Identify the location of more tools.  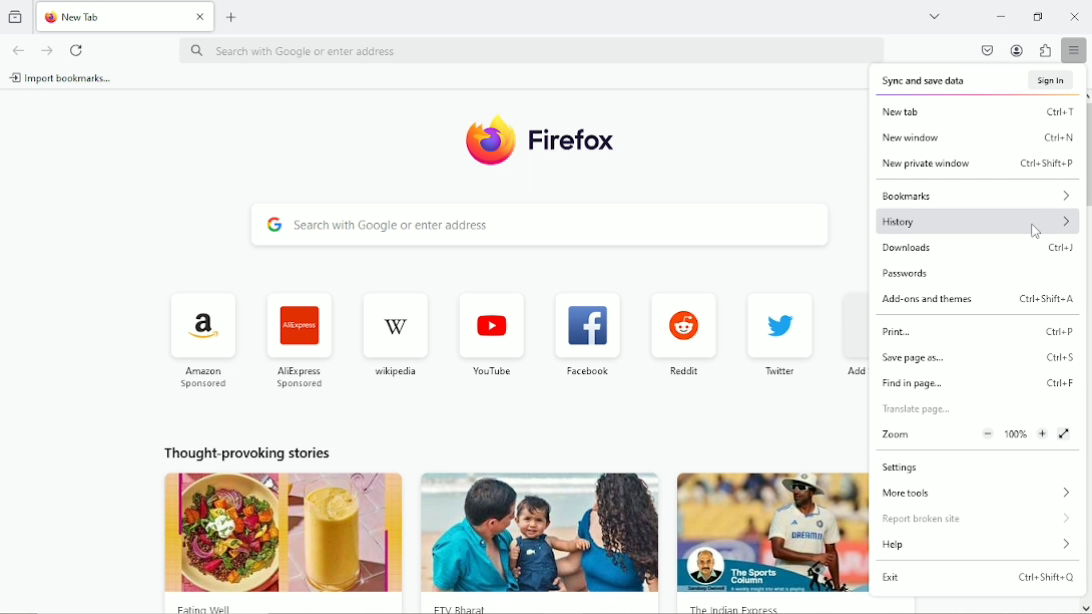
(978, 493).